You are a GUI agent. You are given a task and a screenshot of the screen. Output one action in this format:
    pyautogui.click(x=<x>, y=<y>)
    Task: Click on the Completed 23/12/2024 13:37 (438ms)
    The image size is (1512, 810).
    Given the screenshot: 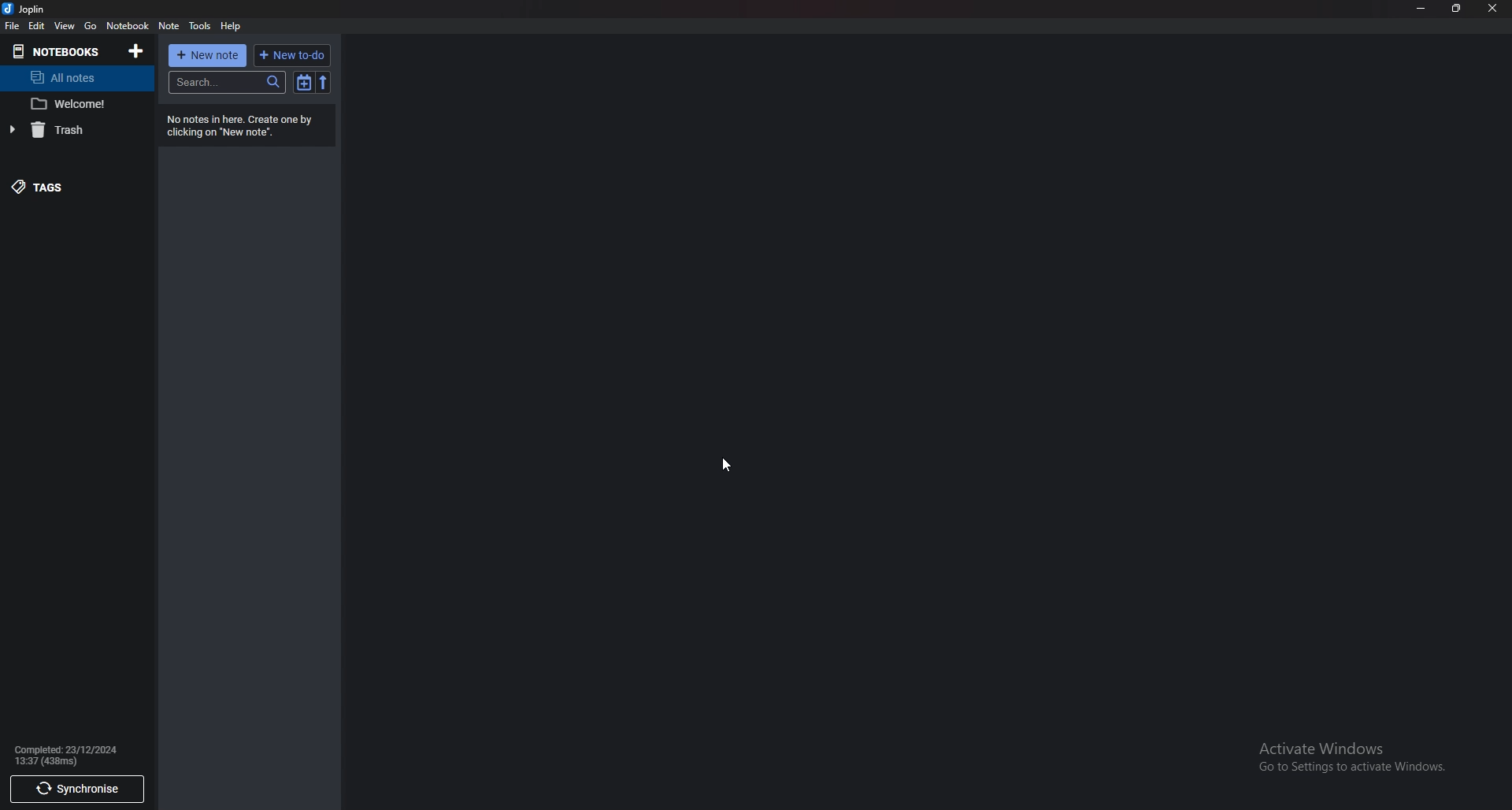 What is the action you would take?
    pyautogui.click(x=71, y=755)
    